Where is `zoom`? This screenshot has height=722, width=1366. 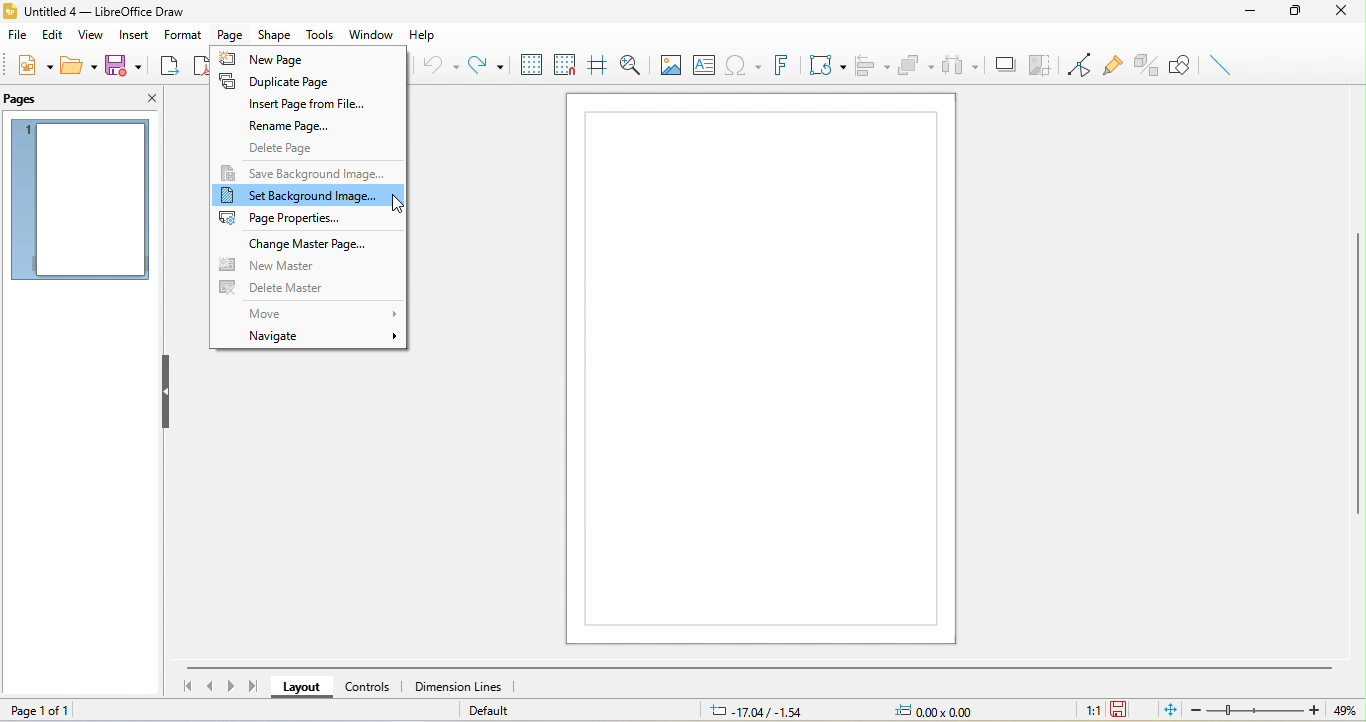 zoom is located at coordinates (1251, 709).